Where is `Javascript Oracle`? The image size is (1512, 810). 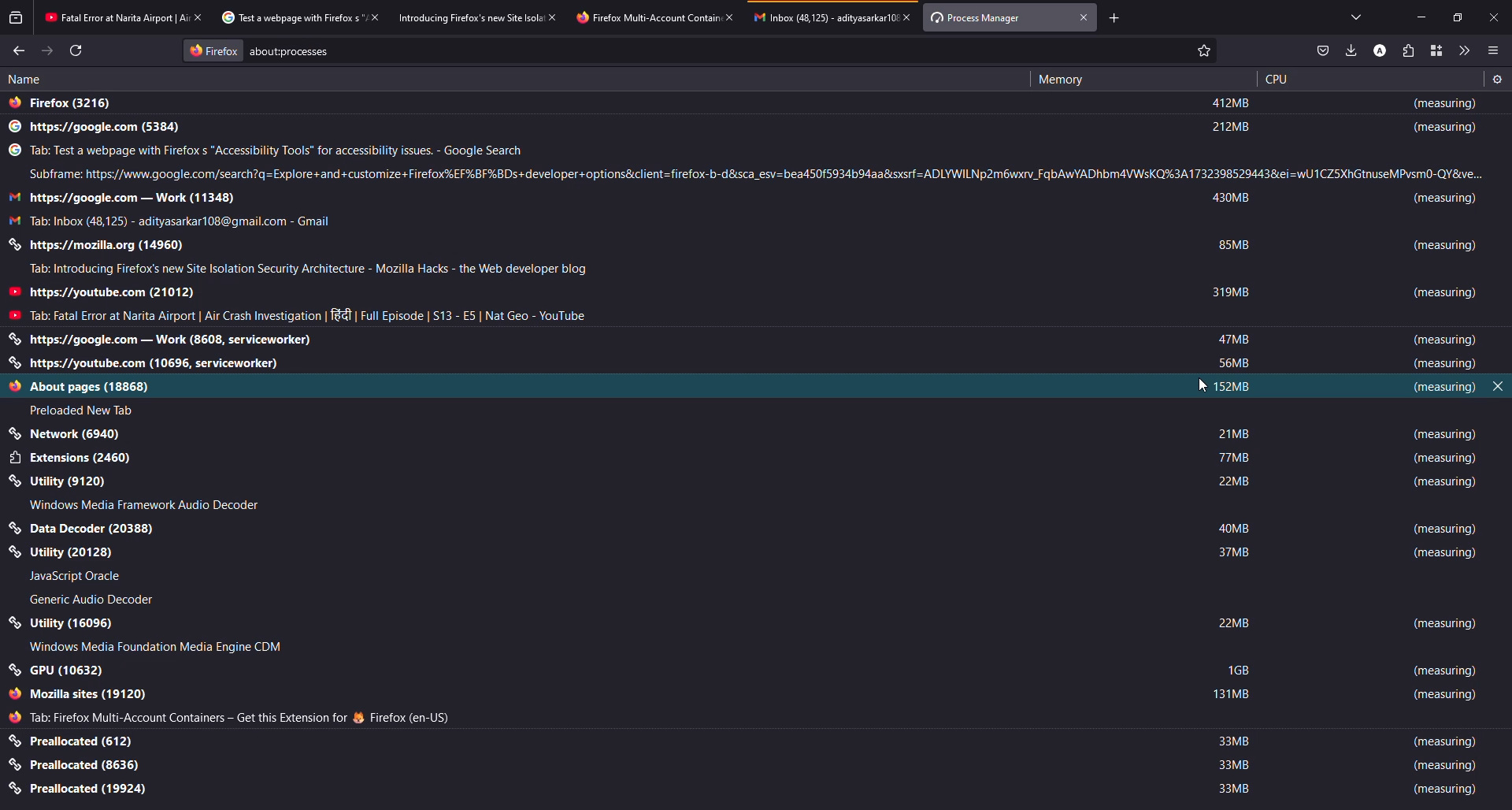
Javascript Oracle is located at coordinates (71, 576).